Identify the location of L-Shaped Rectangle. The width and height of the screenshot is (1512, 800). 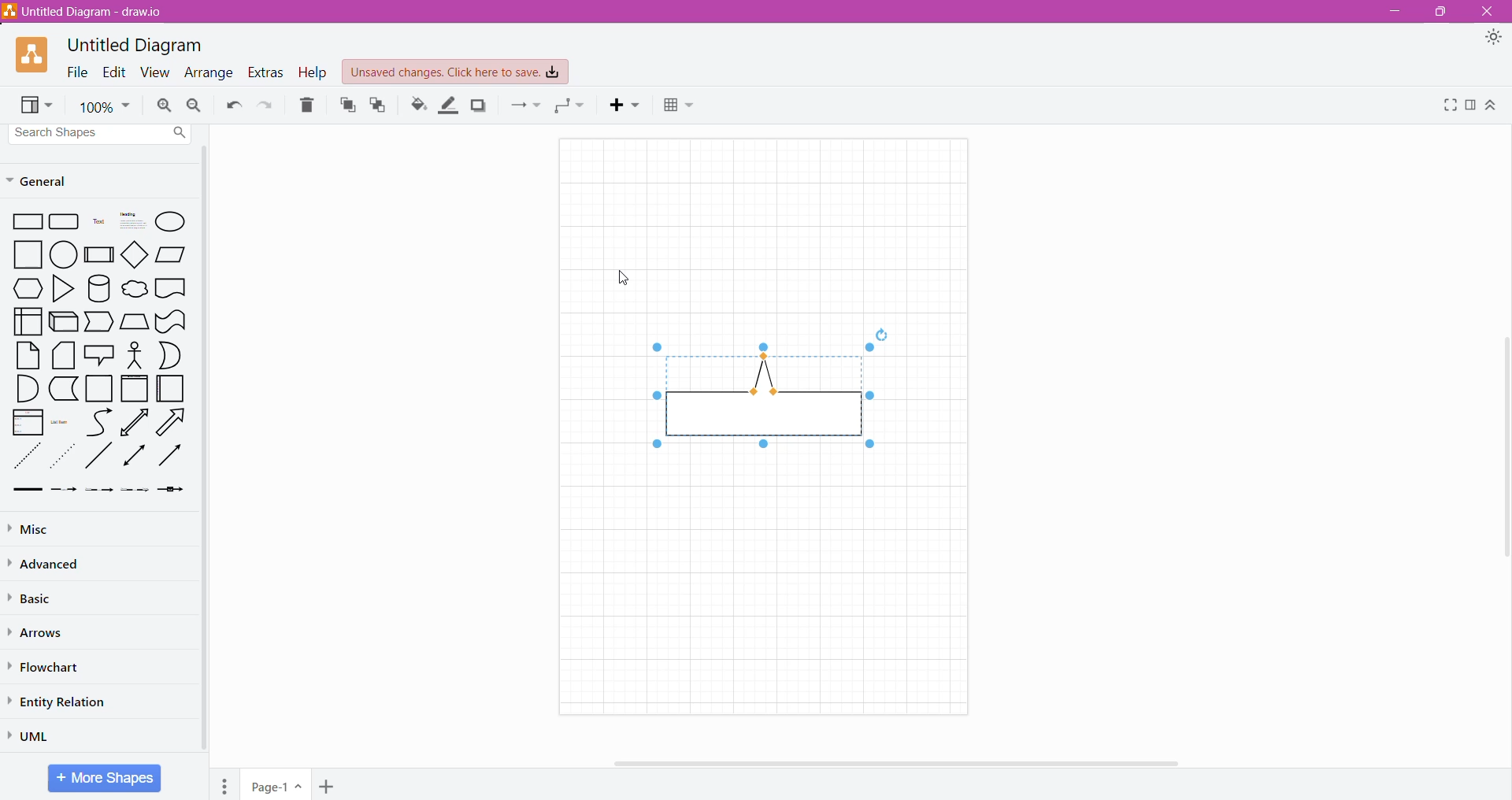
(62, 389).